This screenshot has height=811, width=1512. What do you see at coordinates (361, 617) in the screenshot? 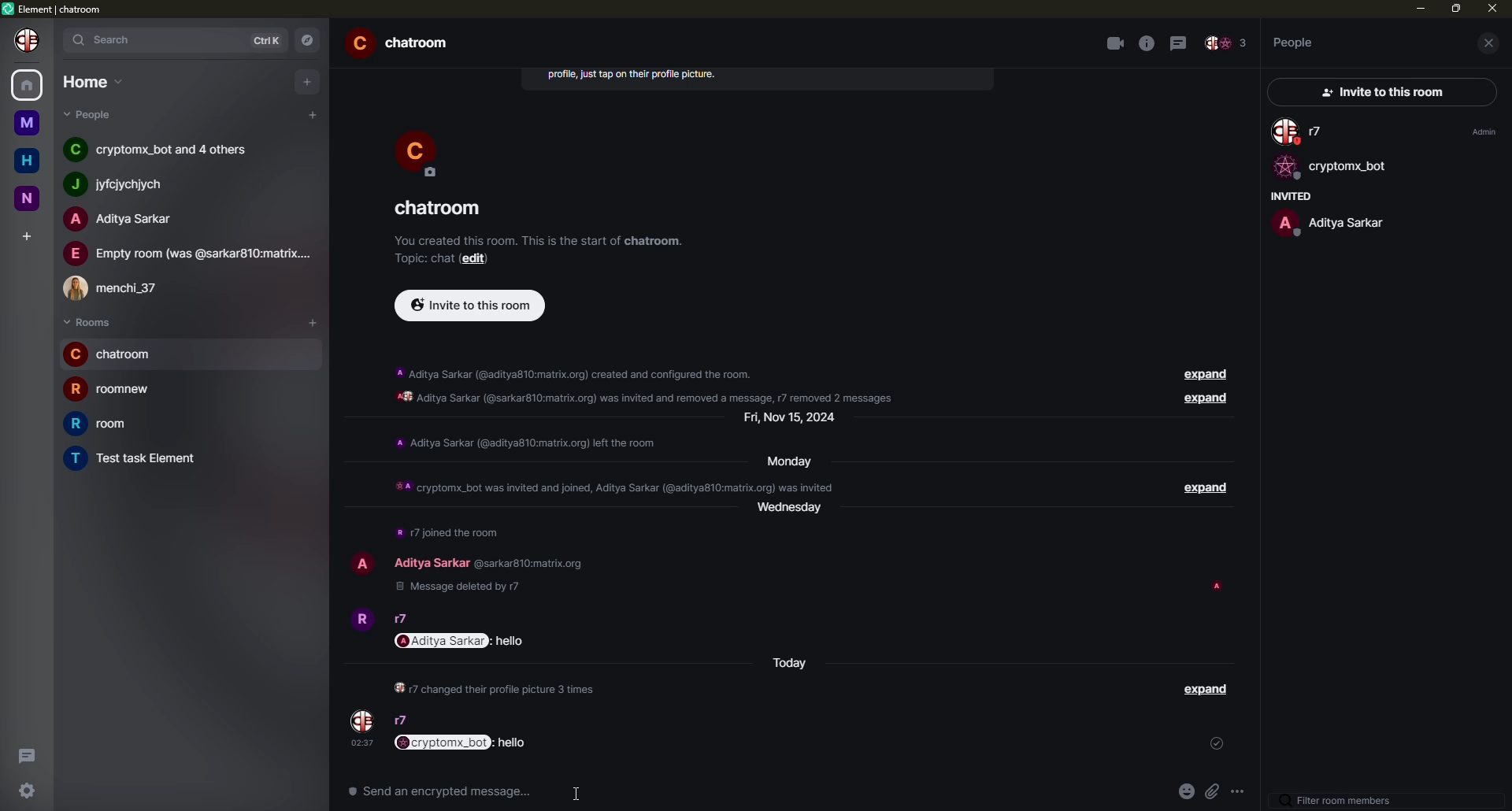
I see `profile` at bounding box center [361, 617].